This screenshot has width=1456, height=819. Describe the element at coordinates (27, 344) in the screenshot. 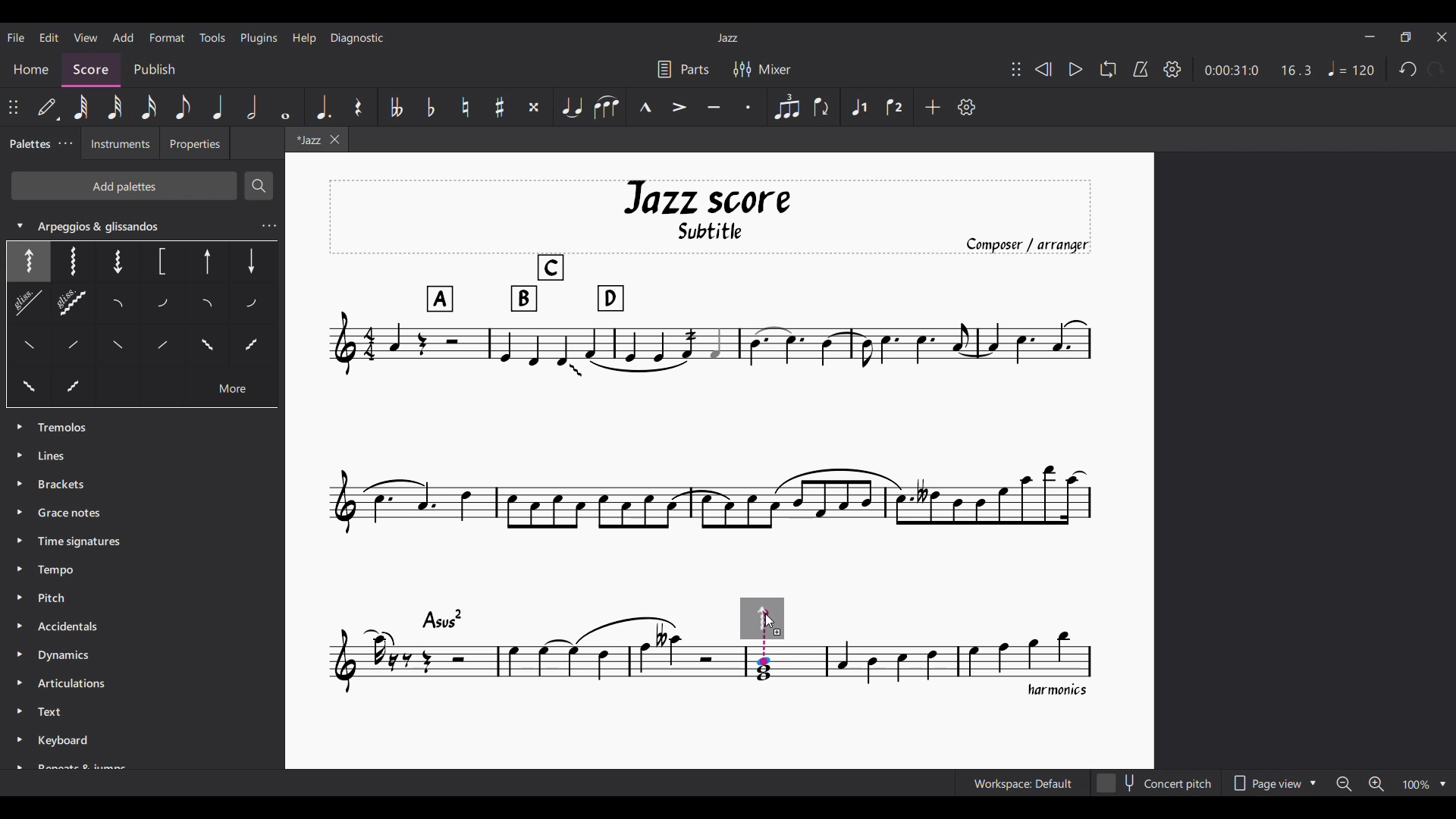

I see `` at that location.